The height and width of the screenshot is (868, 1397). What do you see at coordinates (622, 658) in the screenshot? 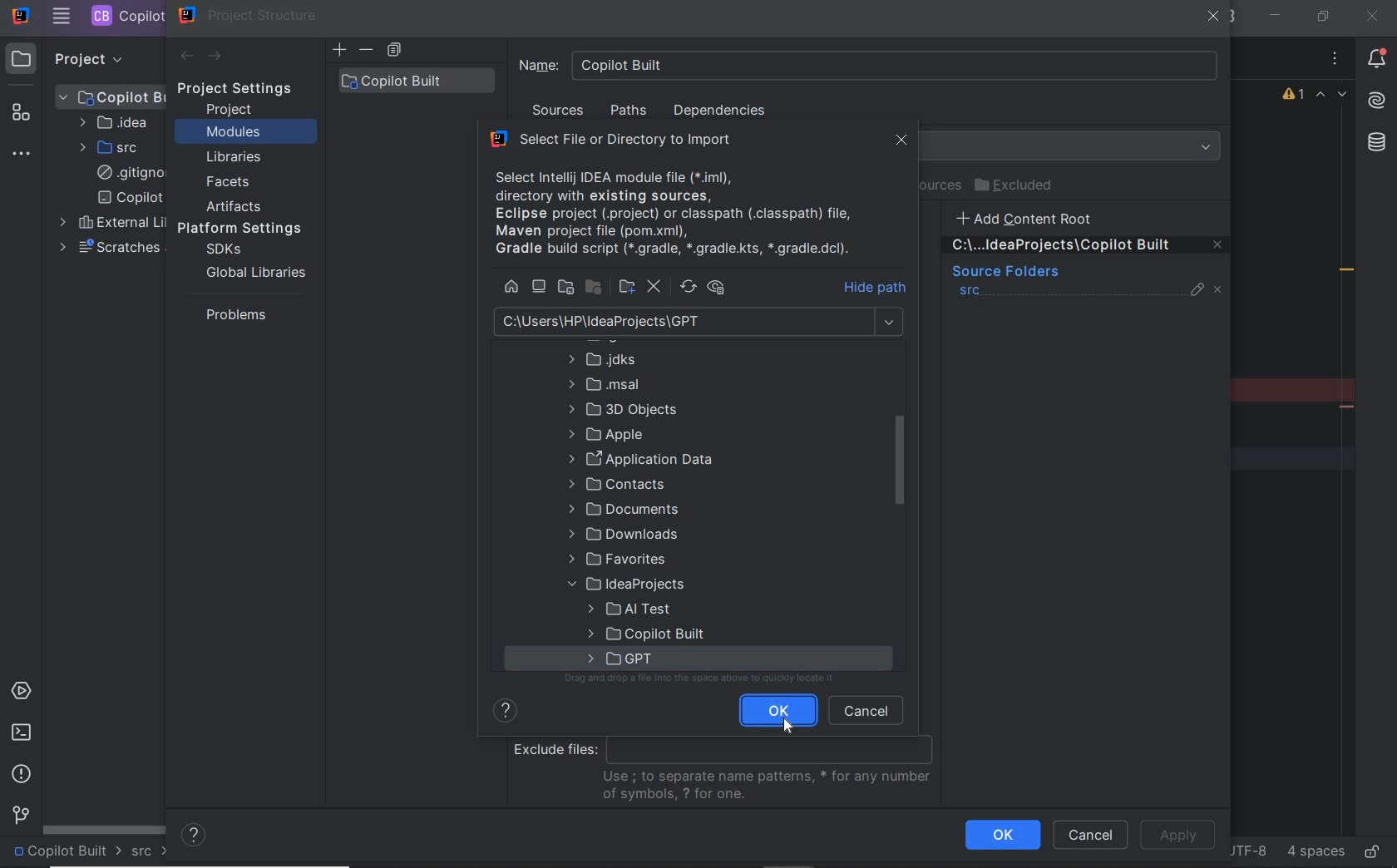
I see `folder` at bounding box center [622, 658].